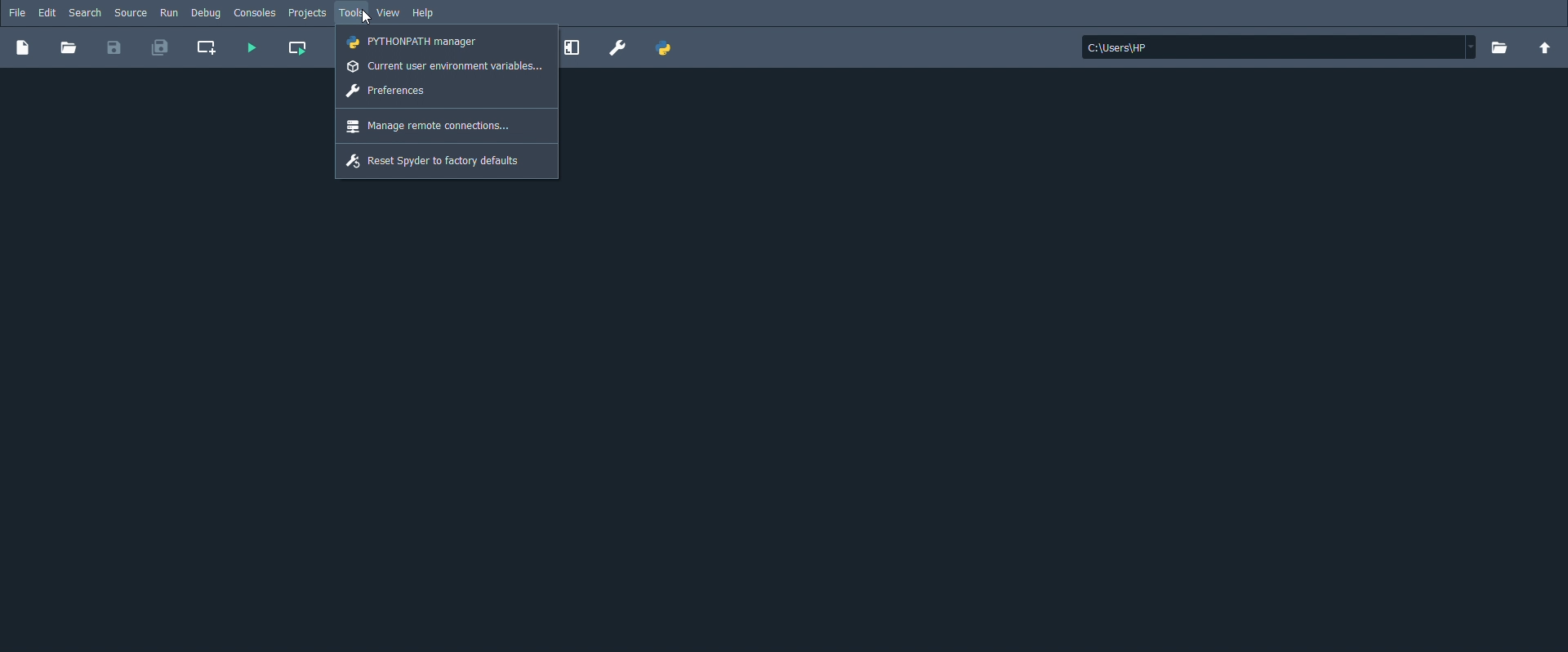 The width and height of the screenshot is (1568, 652). What do you see at coordinates (168, 13) in the screenshot?
I see `Run` at bounding box center [168, 13].